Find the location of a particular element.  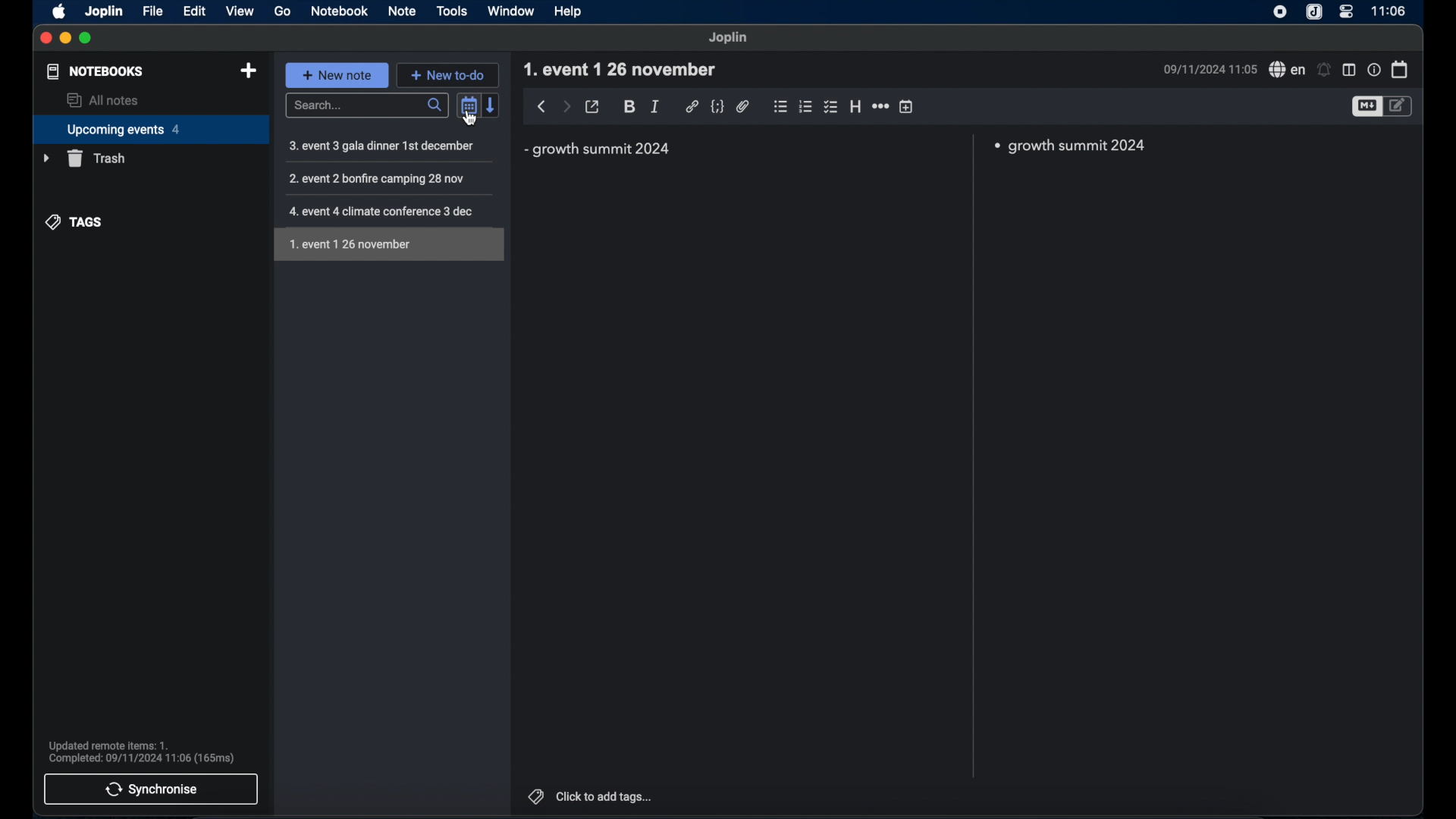

notebook is located at coordinates (341, 11).